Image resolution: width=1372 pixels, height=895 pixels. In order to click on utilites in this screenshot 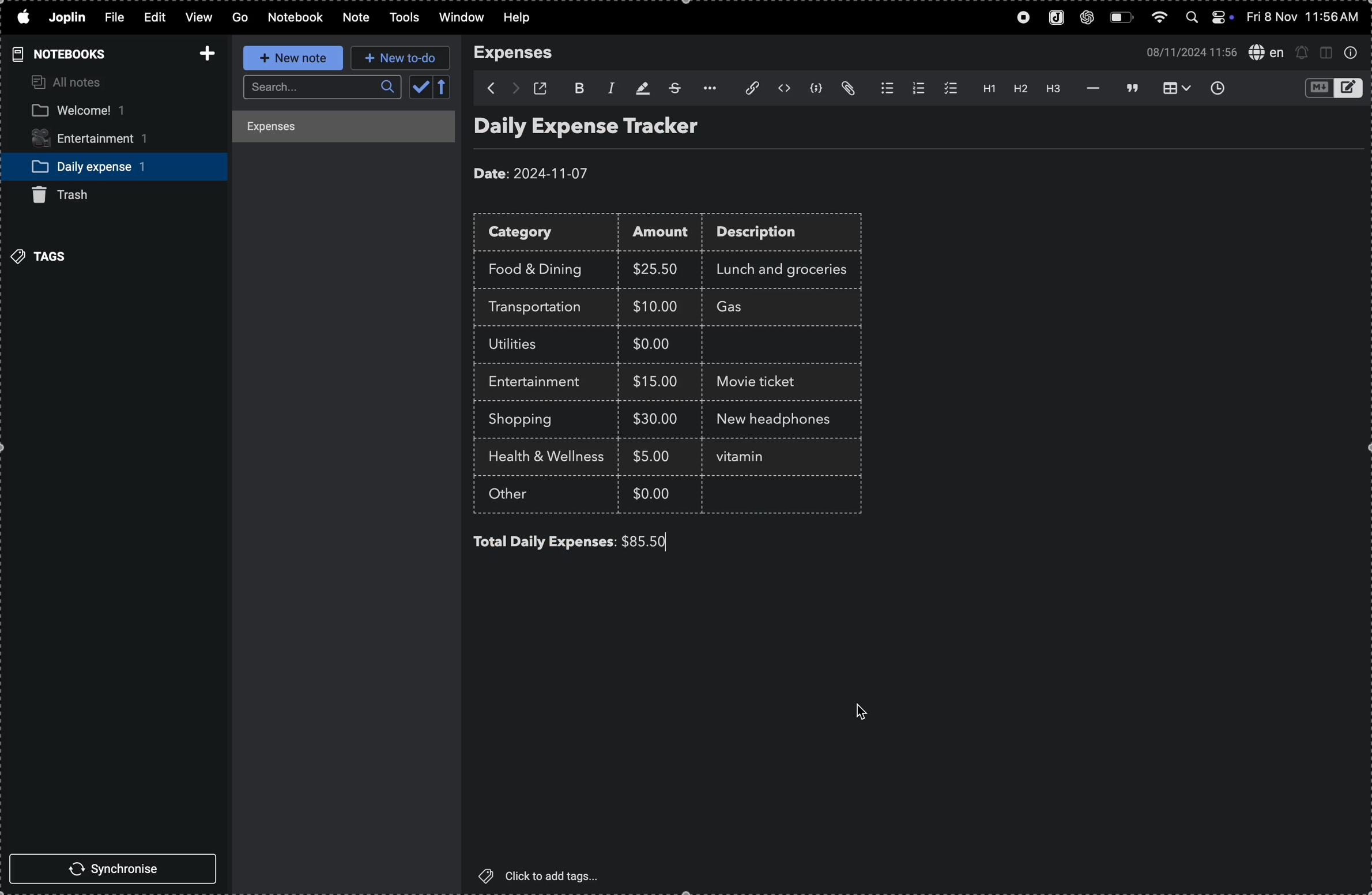, I will do `click(524, 345)`.